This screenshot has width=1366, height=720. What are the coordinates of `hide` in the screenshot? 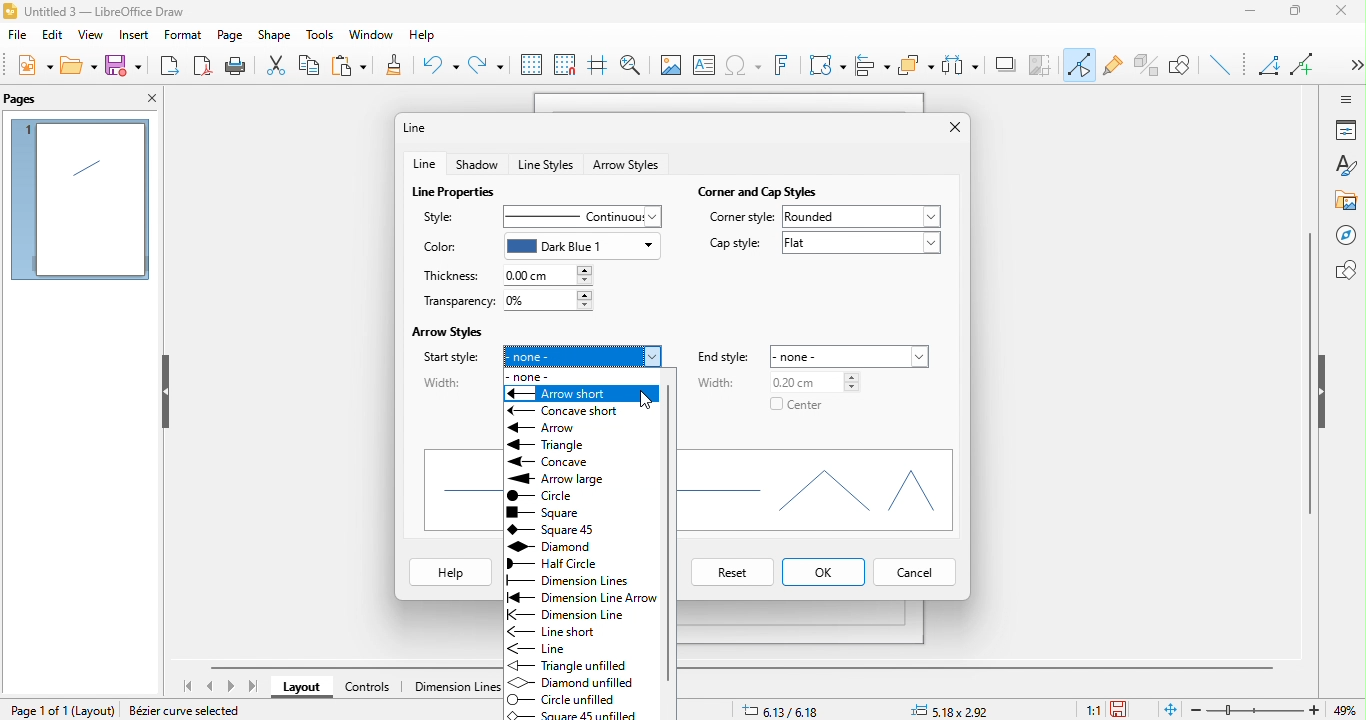 It's located at (1325, 392).